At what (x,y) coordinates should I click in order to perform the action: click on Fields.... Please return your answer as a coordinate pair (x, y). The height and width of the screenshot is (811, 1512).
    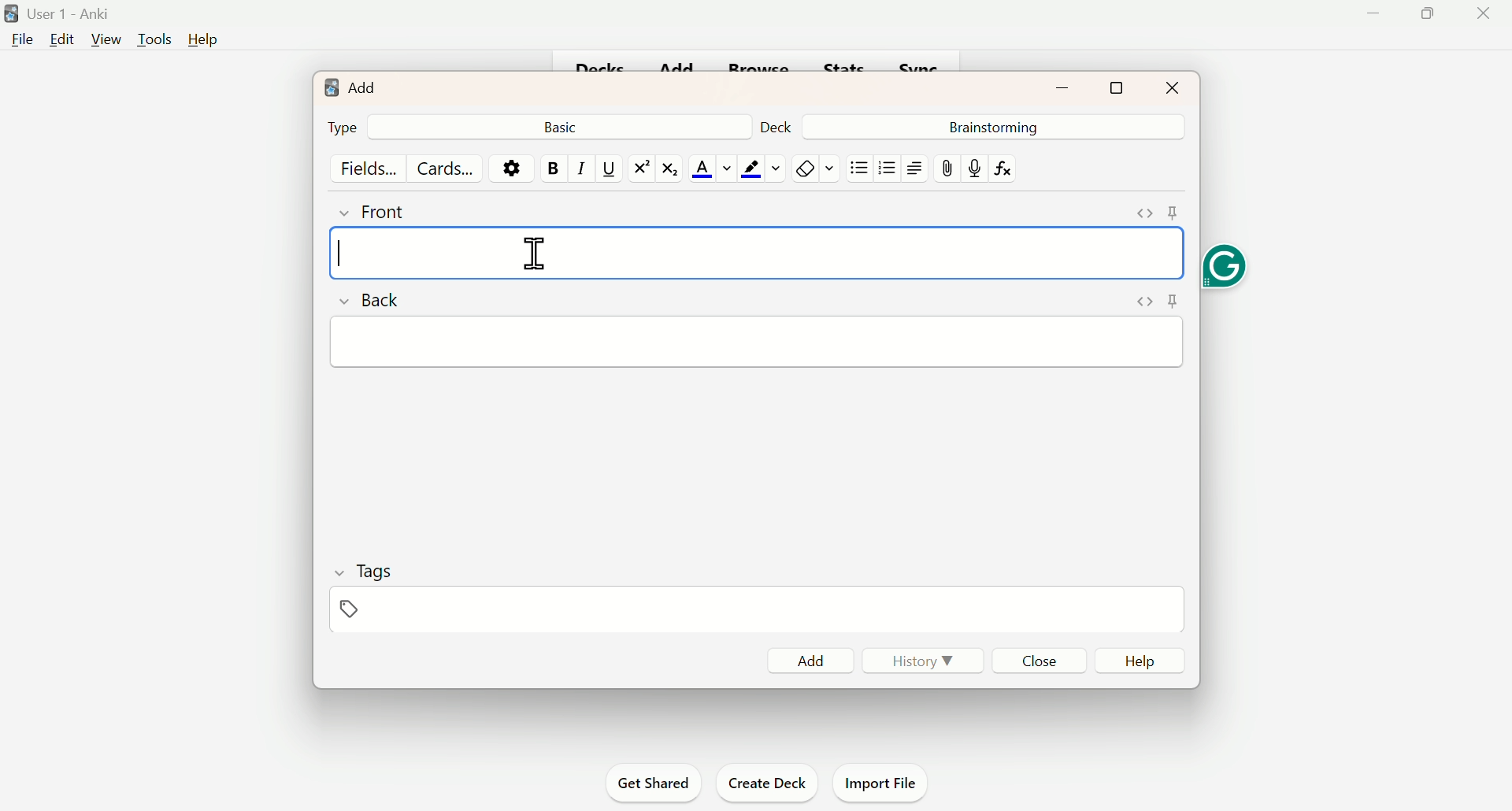
    Looking at the image, I should click on (372, 168).